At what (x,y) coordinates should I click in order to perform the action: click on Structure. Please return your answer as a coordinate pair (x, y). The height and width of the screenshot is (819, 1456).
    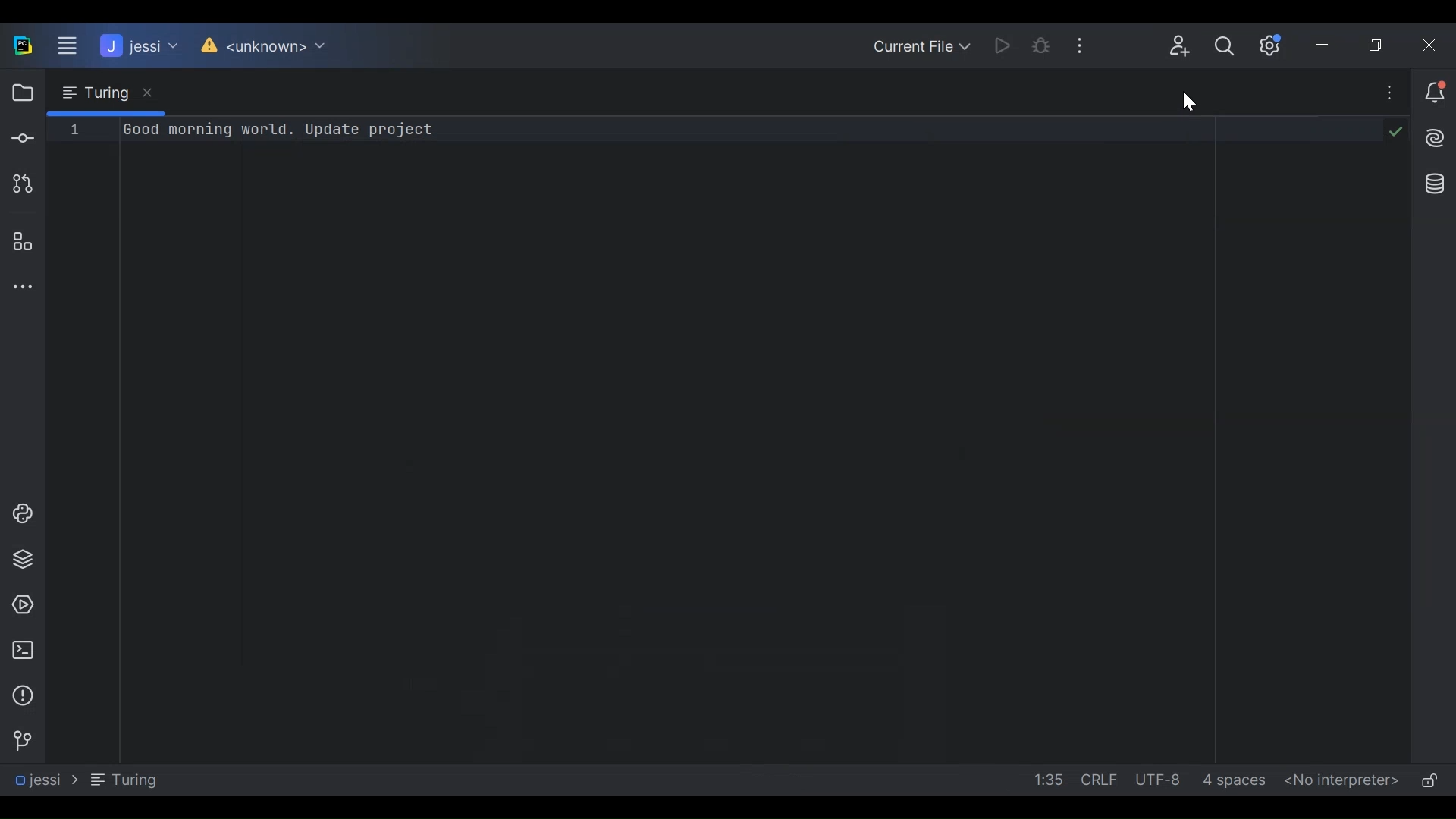
    Looking at the image, I should click on (20, 240).